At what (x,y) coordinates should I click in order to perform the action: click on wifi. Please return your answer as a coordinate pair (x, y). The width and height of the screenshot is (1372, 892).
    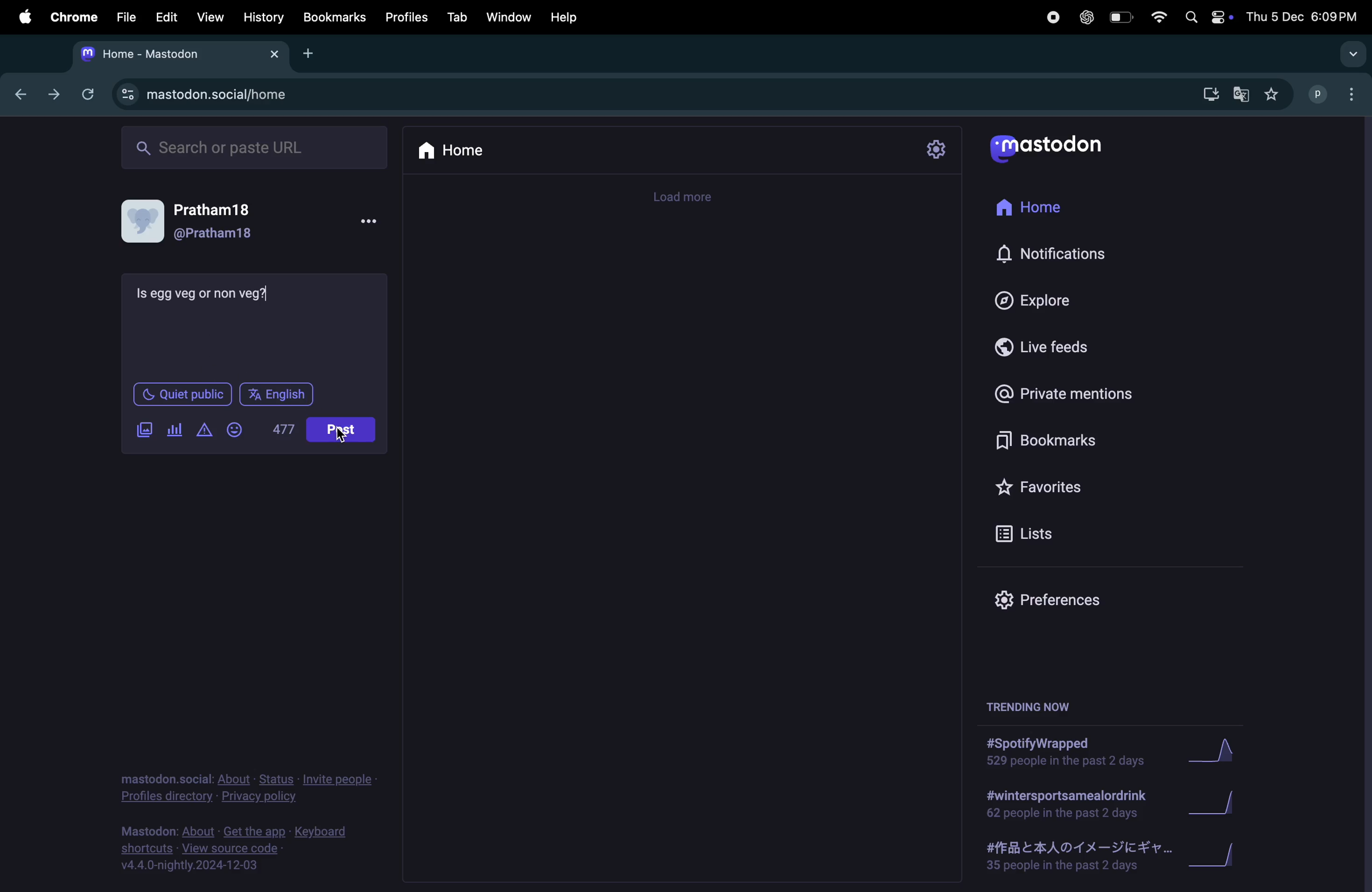
    Looking at the image, I should click on (1160, 18).